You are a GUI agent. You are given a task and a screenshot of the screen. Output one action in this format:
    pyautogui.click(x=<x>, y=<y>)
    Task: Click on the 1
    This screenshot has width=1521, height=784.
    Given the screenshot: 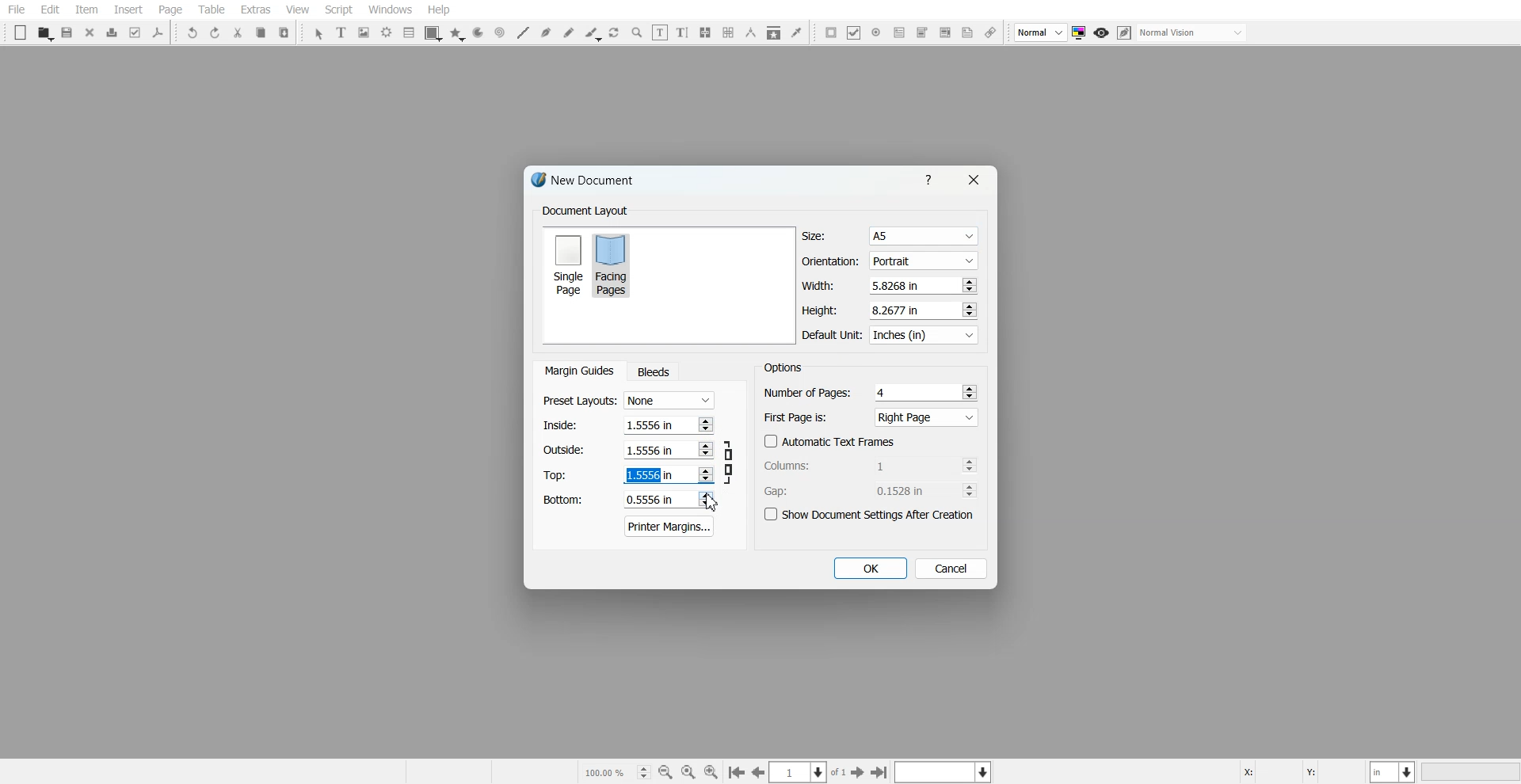 What is the action you would take?
    pyautogui.click(x=904, y=465)
    